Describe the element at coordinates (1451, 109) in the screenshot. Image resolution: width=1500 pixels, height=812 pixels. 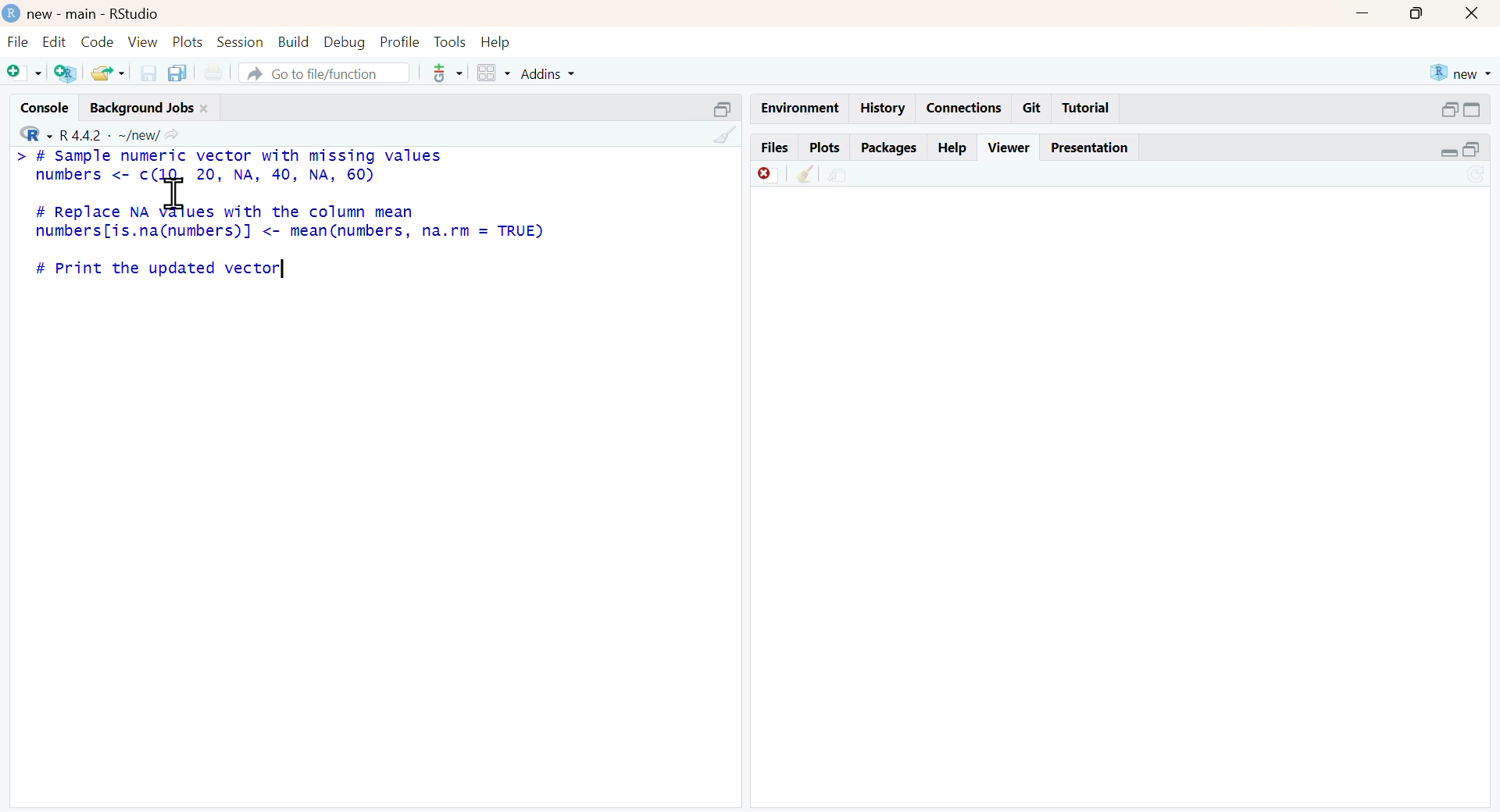
I see `open in separate window` at that location.